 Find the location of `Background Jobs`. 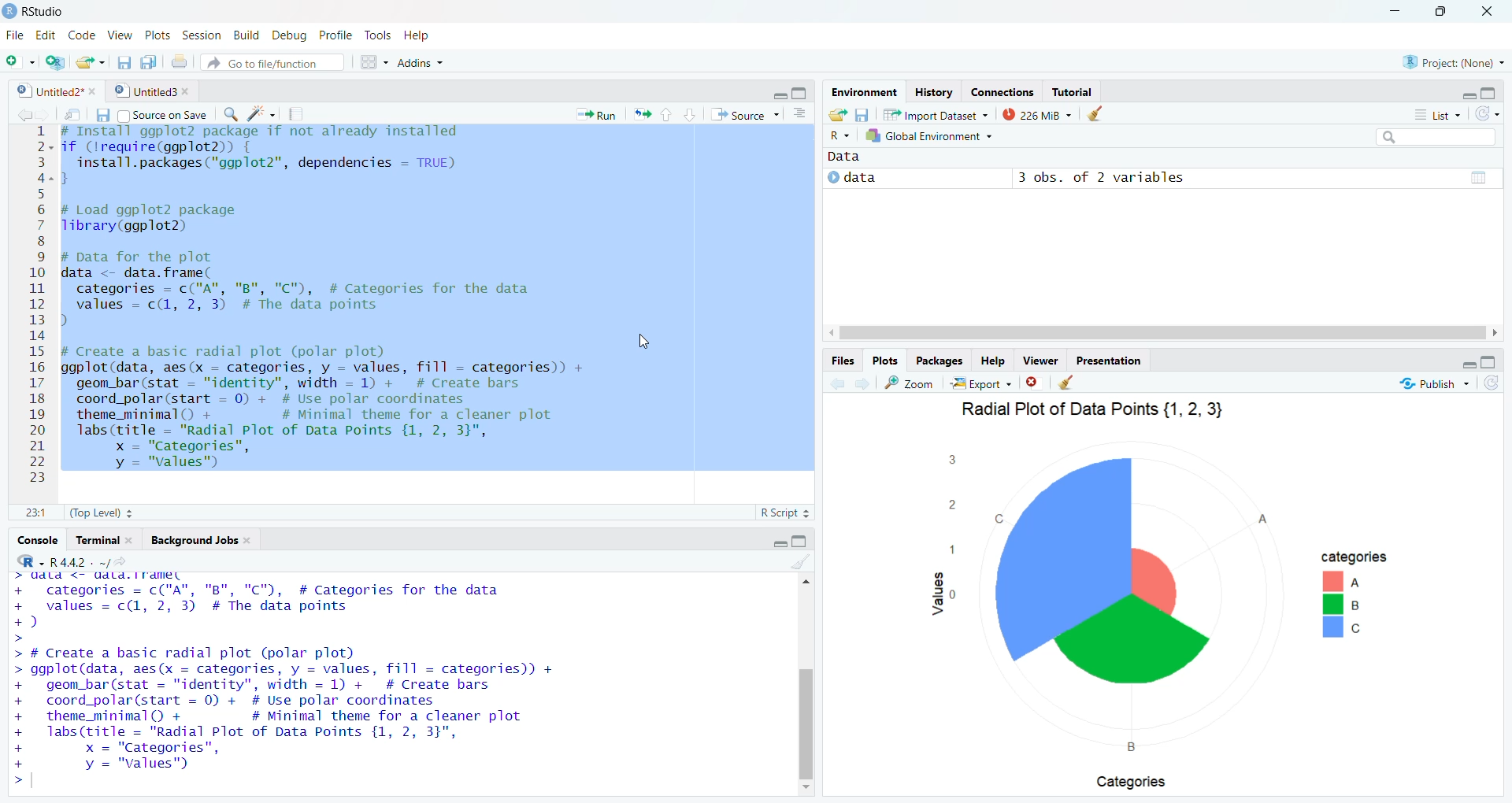

Background Jobs is located at coordinates (203, 542).